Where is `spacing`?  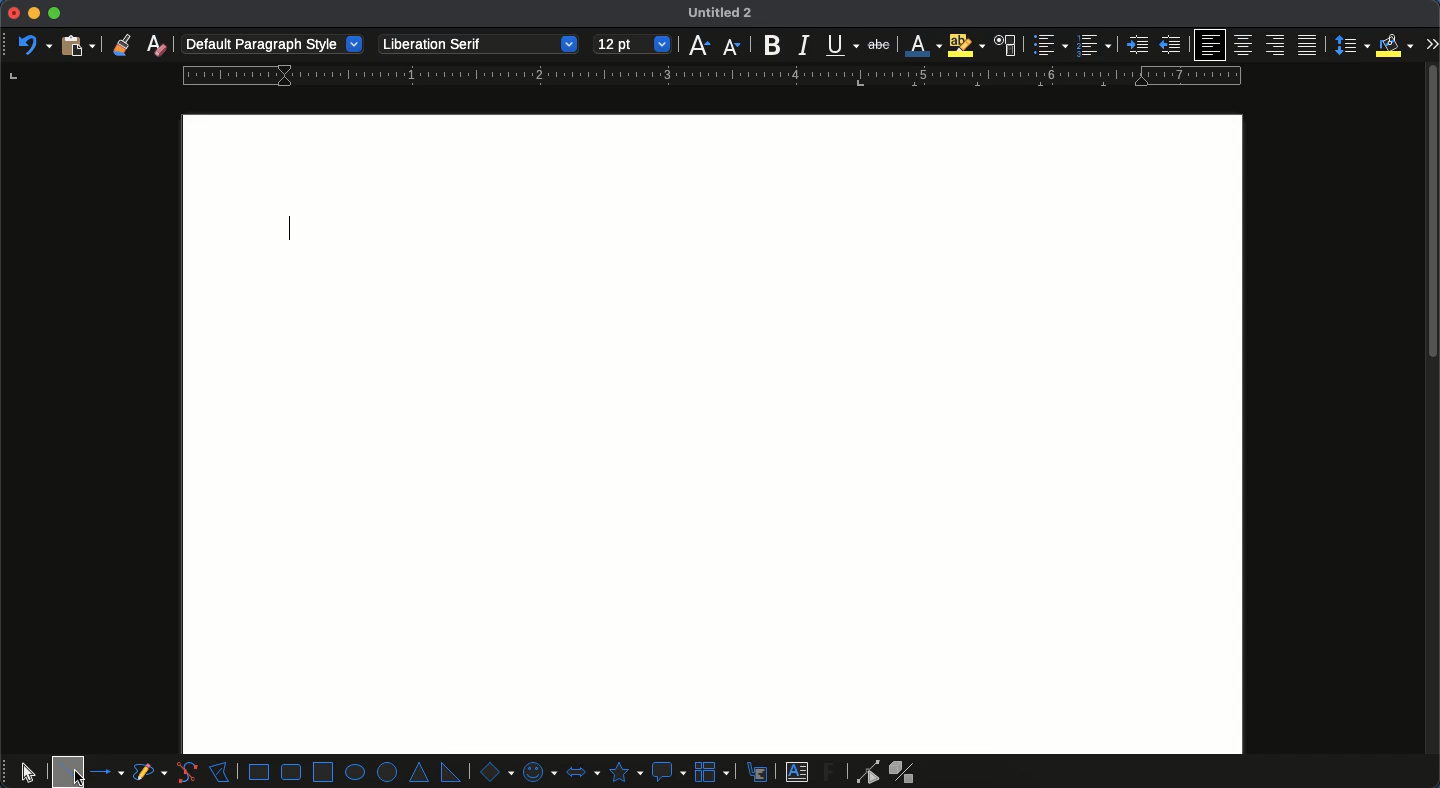 spacing is located at coordinates (1350, 45).